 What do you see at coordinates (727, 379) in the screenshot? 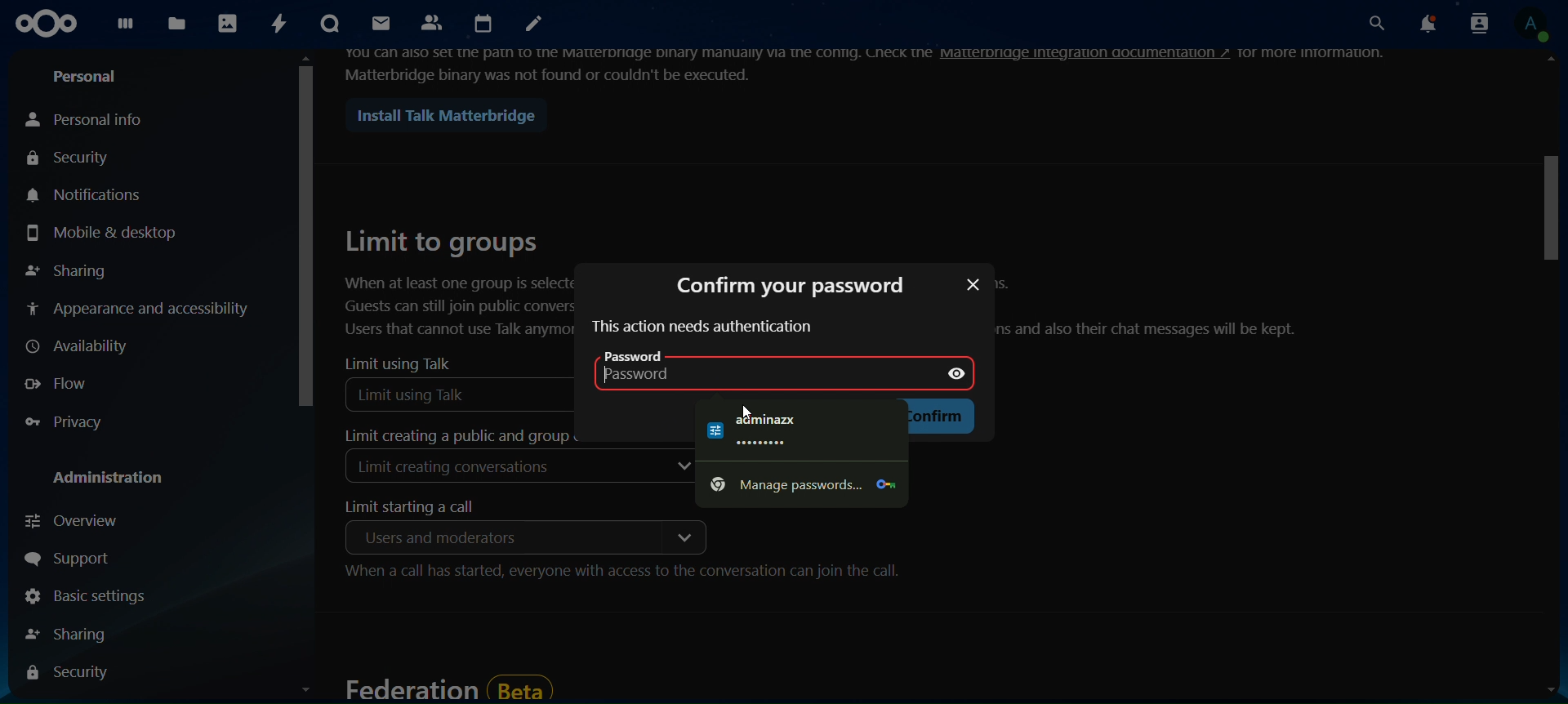
I see `input password` at bounding box center [727, 379].